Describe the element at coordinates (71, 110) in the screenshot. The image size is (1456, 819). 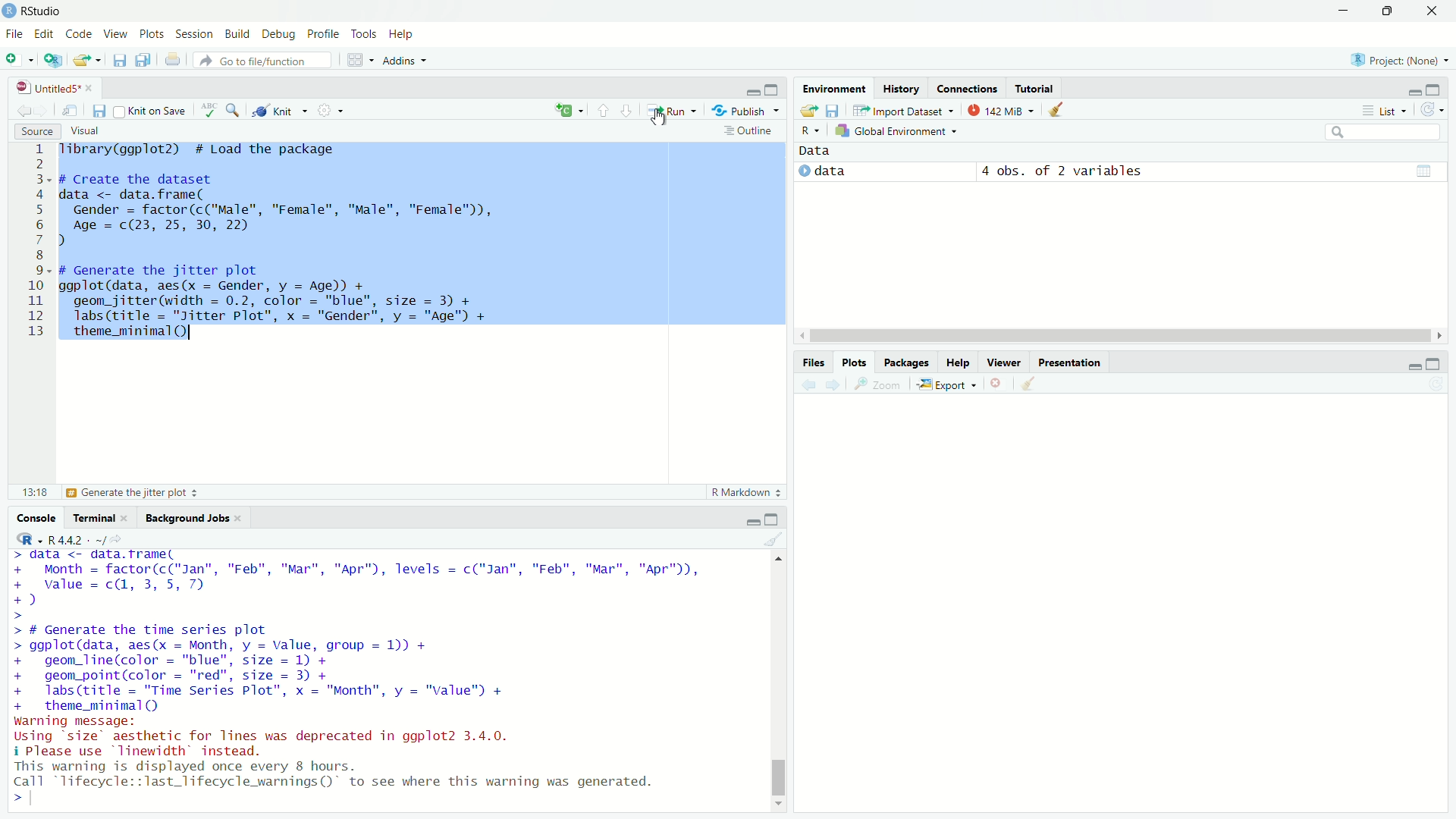
I see `show in new window` at that location.